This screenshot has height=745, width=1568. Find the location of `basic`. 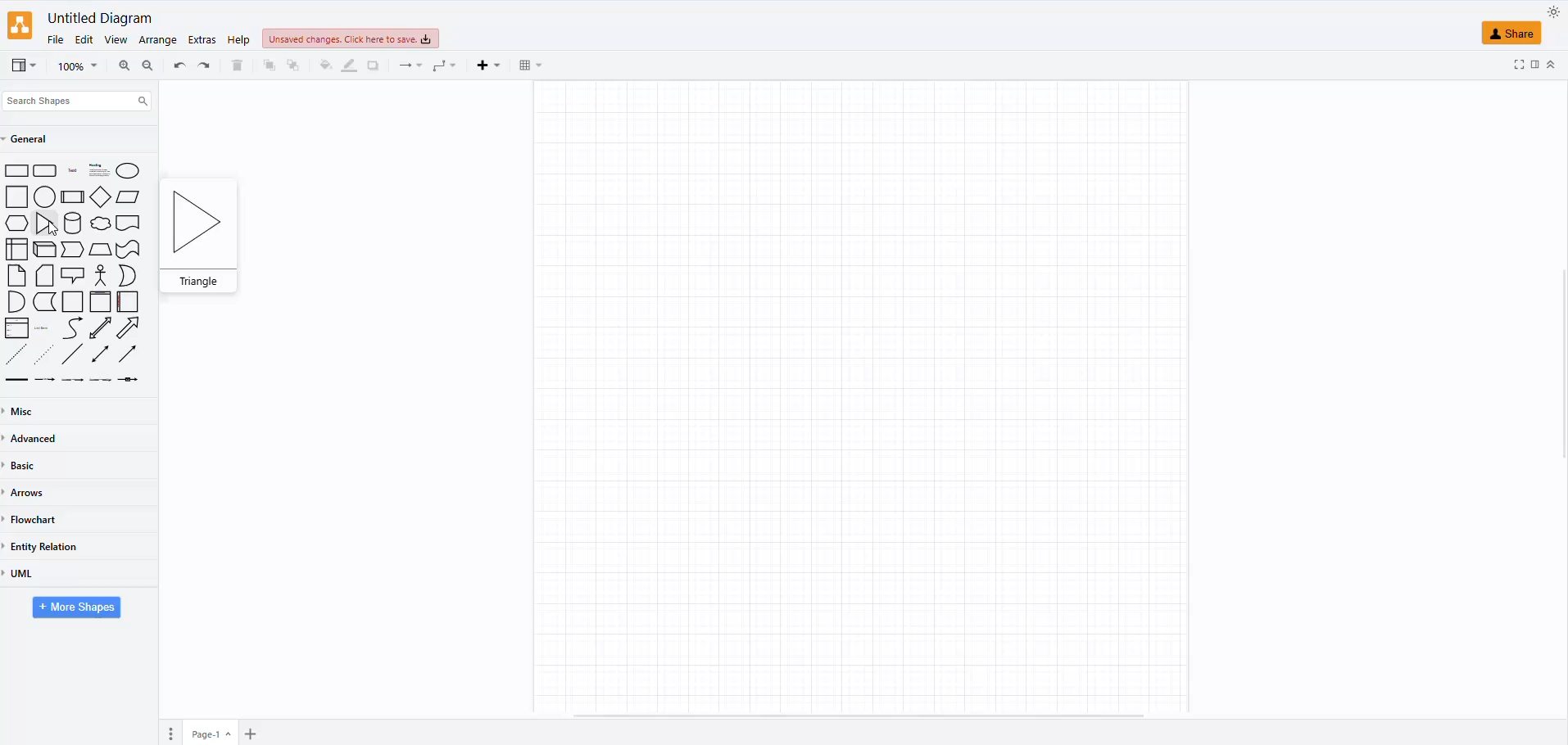

basic is located at coordinates (27, 468).